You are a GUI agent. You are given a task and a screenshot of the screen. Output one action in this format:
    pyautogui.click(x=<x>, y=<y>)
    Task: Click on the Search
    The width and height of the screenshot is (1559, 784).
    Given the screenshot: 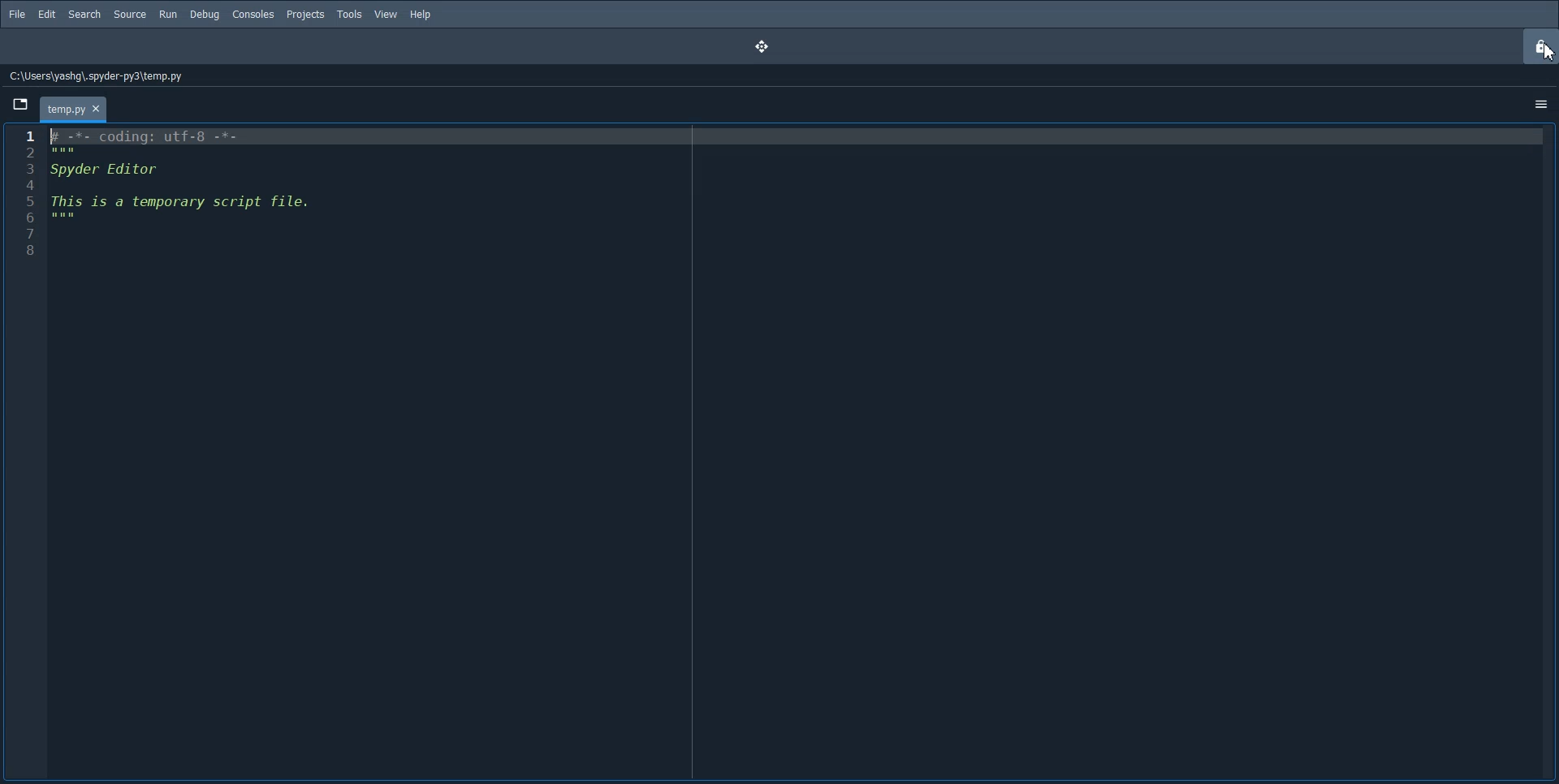 What is the action you would take?
    pyautogui.click(x=84, y=14)
    